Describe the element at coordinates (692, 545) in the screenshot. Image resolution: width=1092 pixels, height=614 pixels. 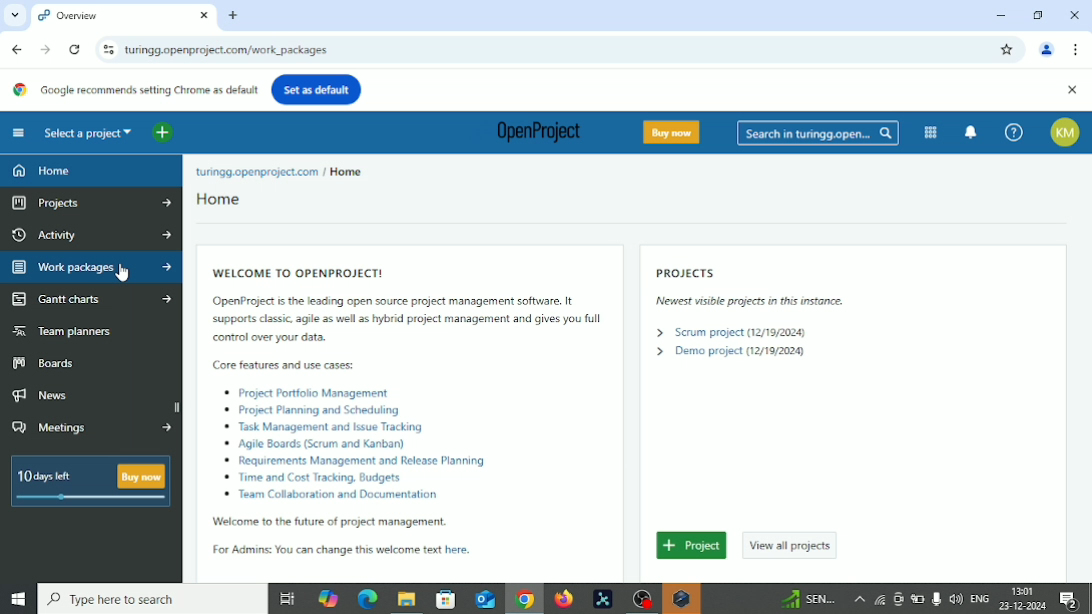
I see `Create project` at that location.